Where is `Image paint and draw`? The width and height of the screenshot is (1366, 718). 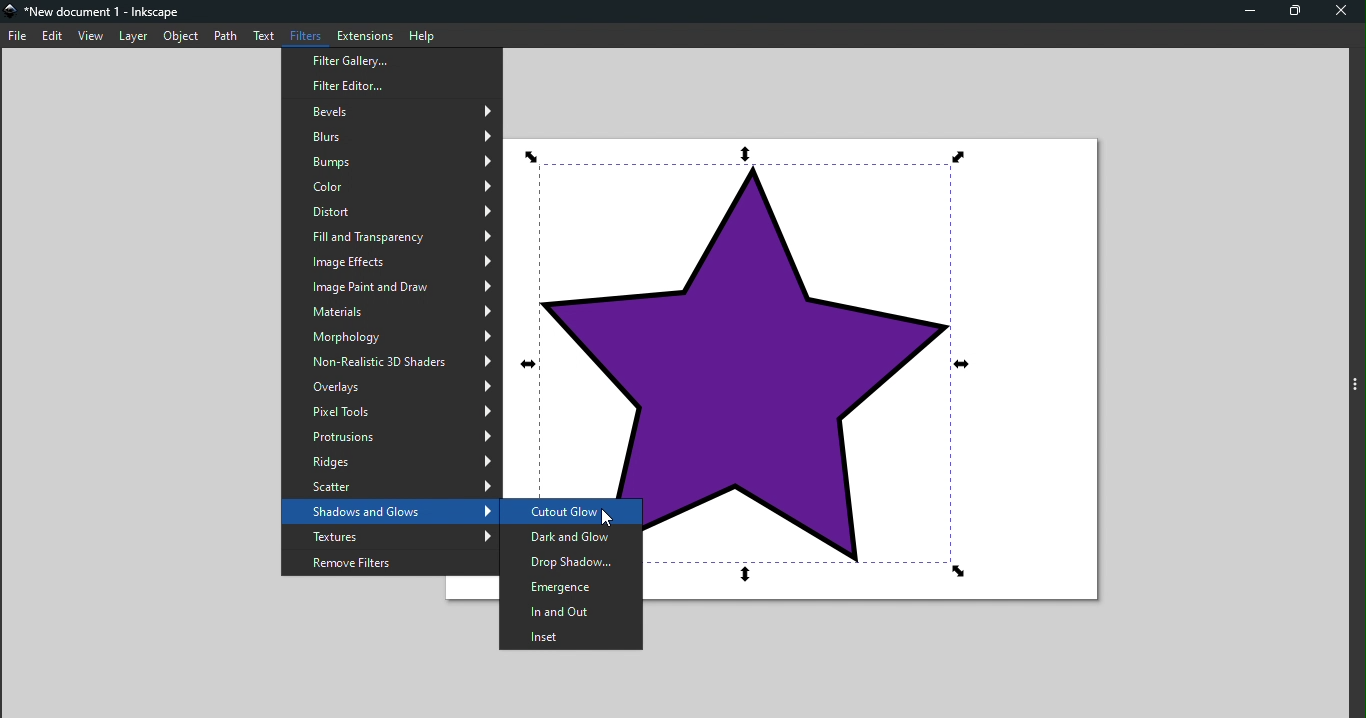
Image paint and draw is located at coordinates (393, 289).